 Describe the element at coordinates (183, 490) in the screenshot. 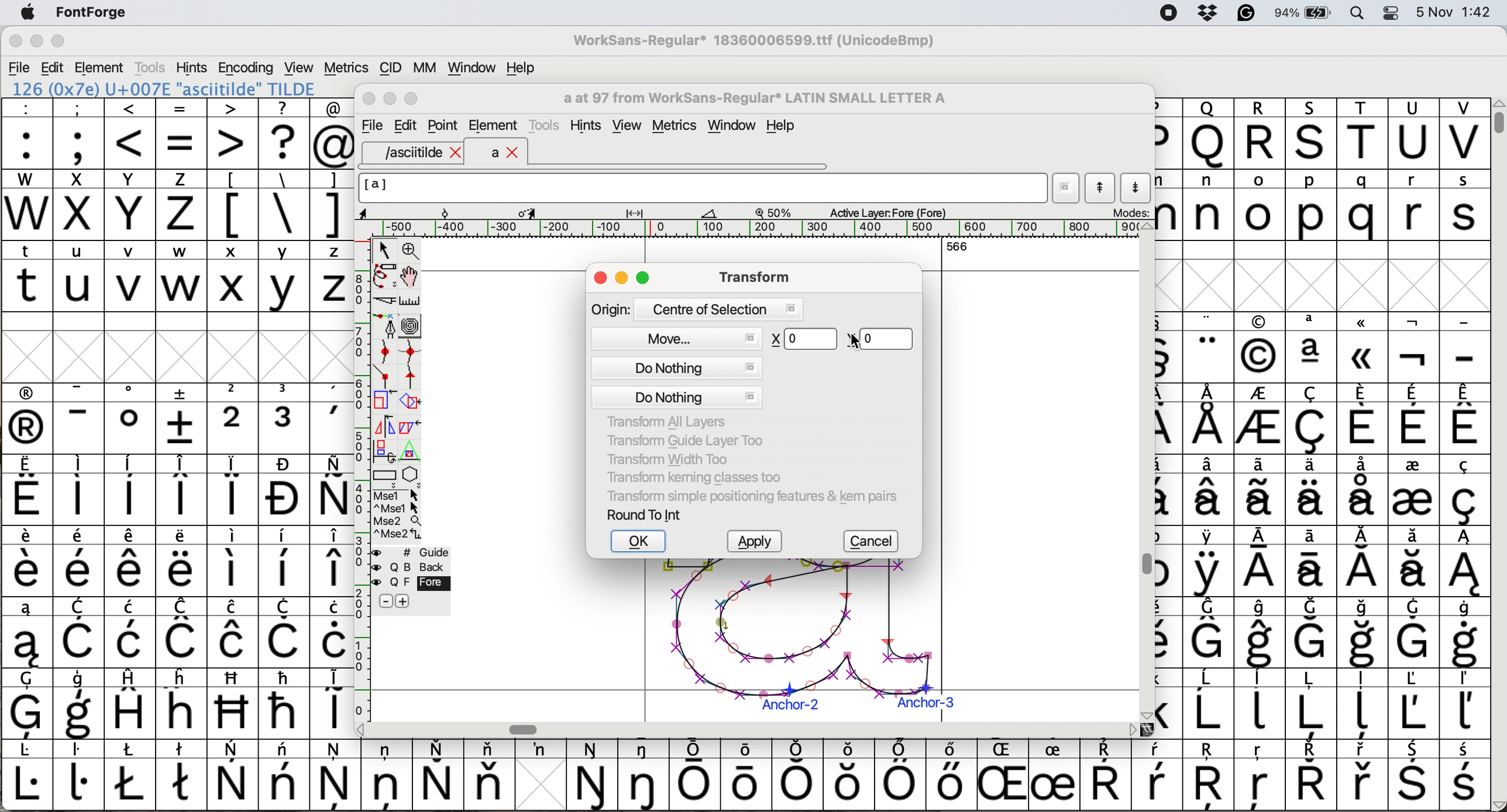

I see `symbol` at that location.